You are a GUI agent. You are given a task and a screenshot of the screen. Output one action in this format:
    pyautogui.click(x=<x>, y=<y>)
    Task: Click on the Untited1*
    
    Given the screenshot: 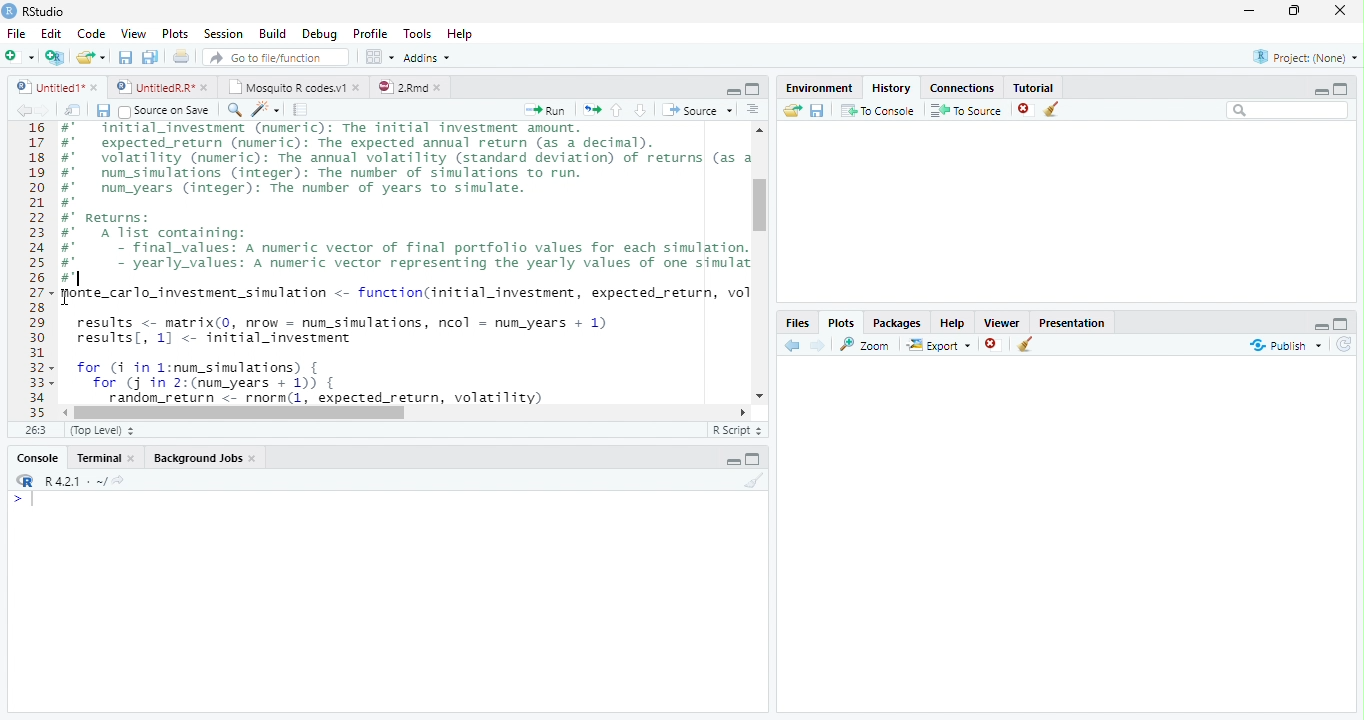 What is the action you would take?
    pyautogui.click(x=55, y=86)
    